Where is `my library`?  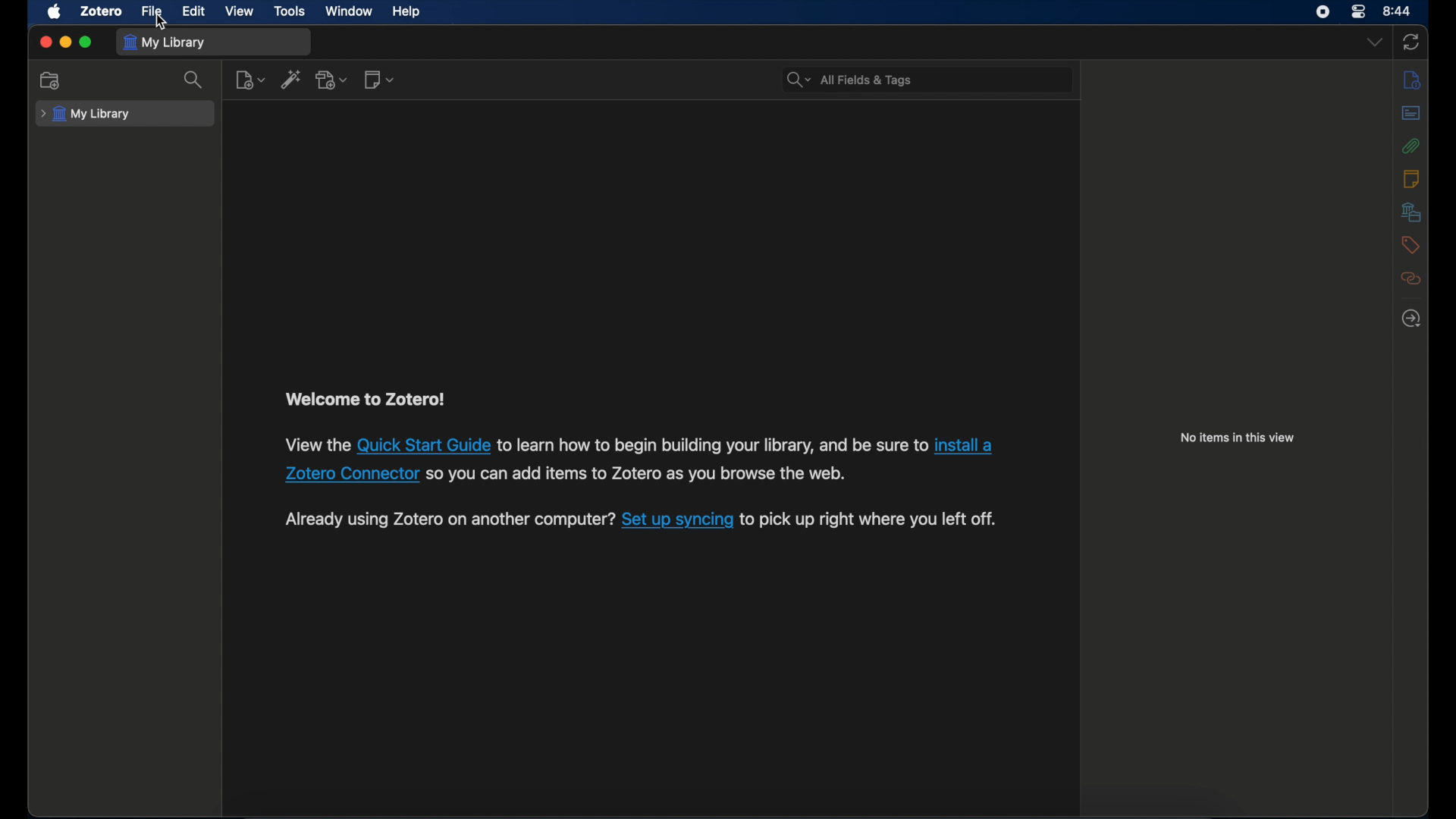 my library is located at coordinates (86, 115).